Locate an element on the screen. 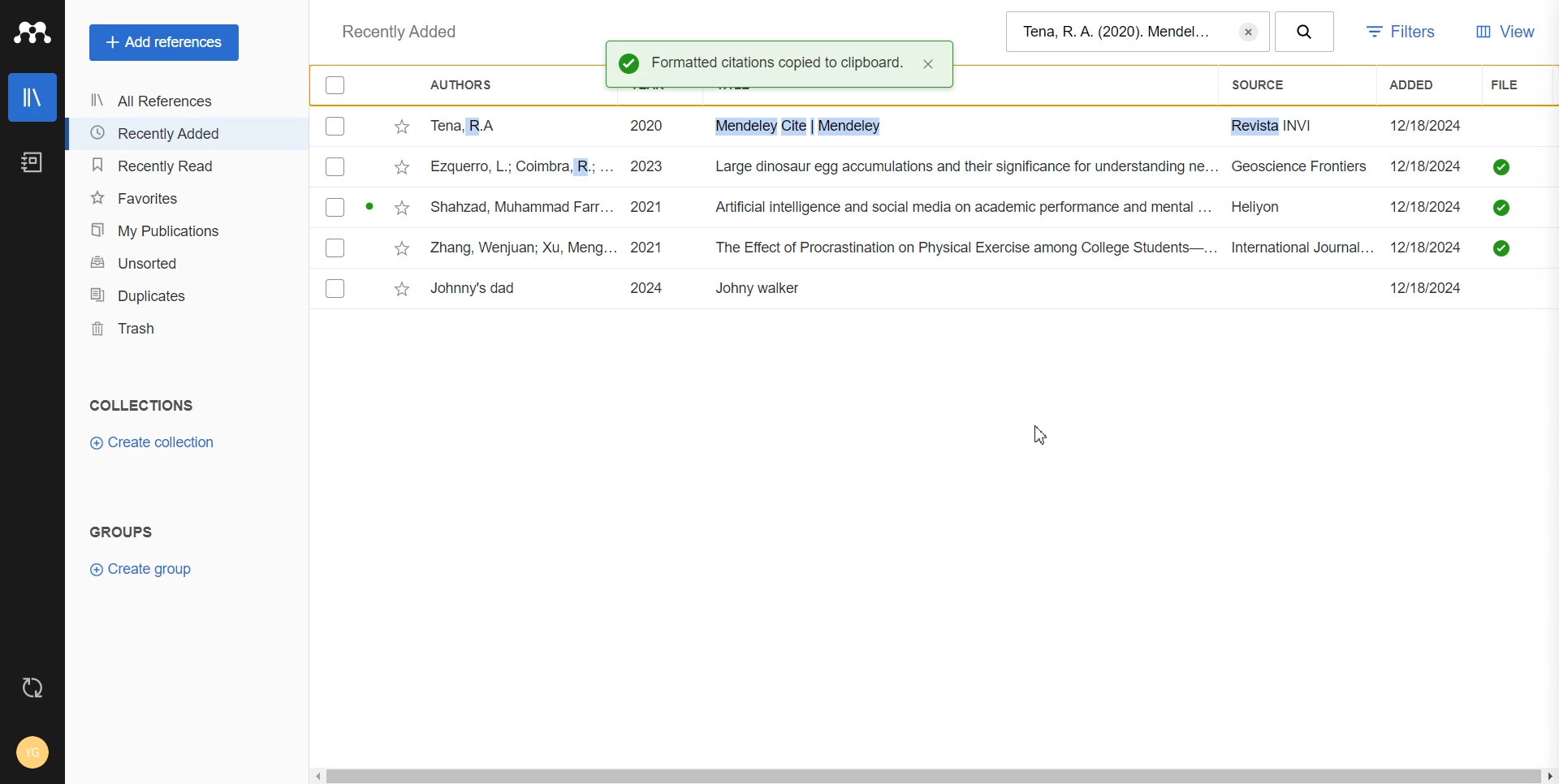 The image size is (1559, 784). Auto sync is located at coordinates (33, 687).